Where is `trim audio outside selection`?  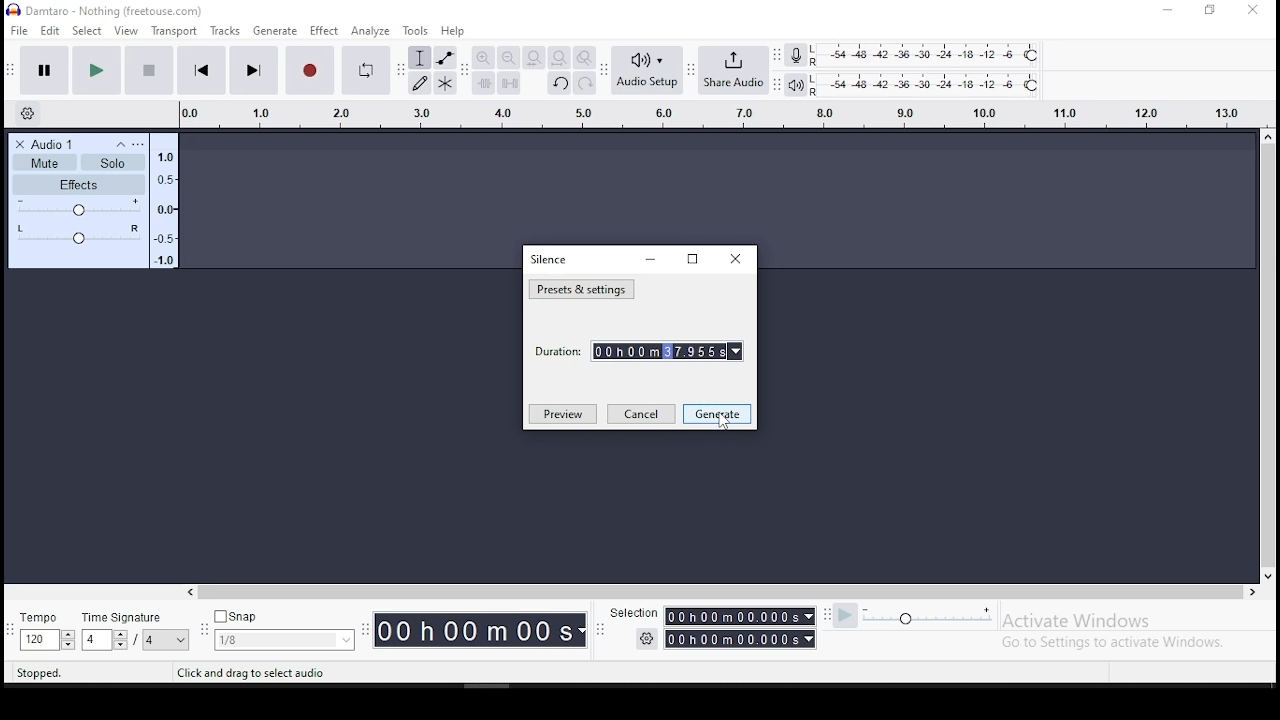
trim audio outside selection is located at coordinates (483, 83).